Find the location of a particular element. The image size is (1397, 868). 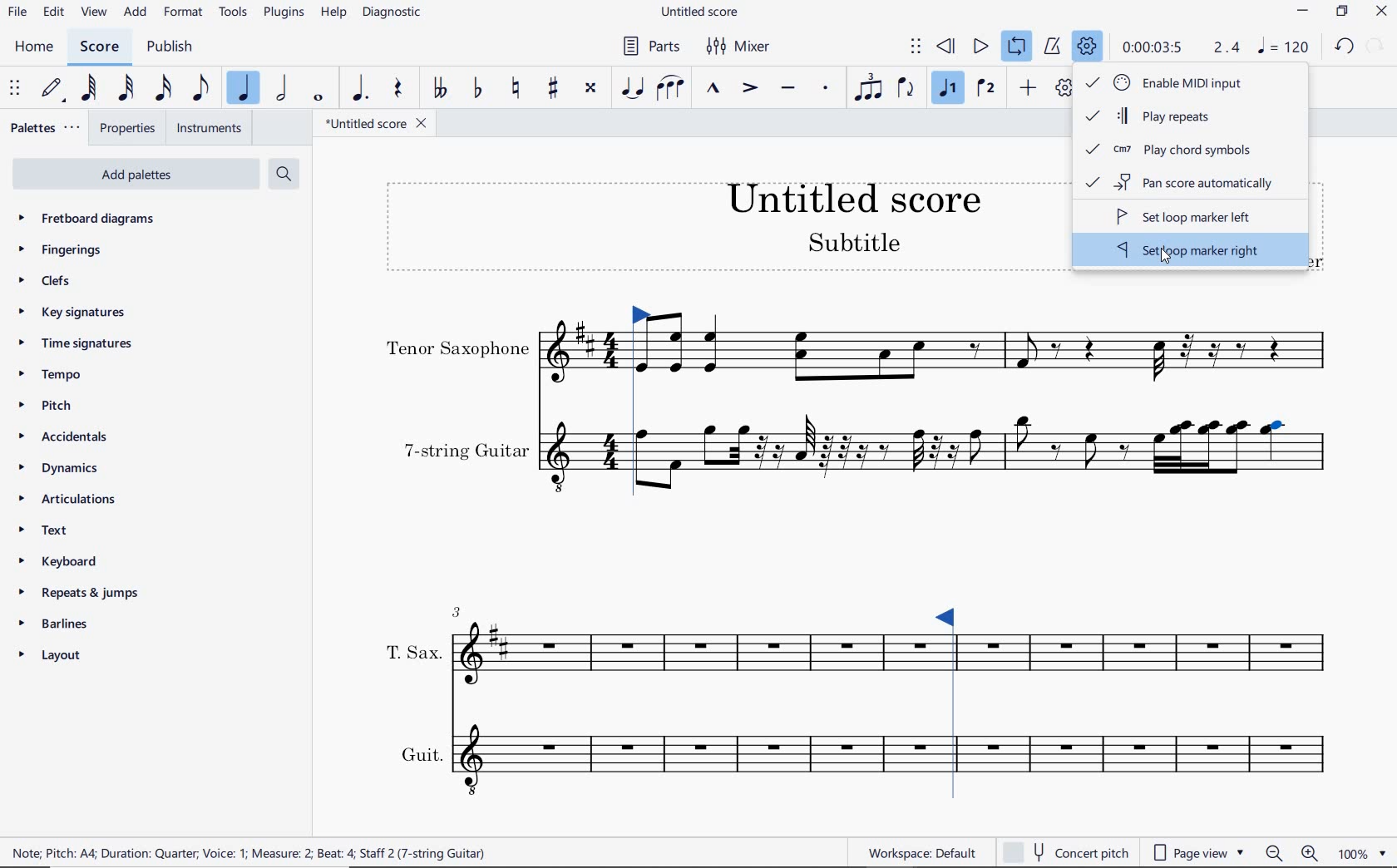

TOGGLE NATURAL is located at coordinates (516, 88).